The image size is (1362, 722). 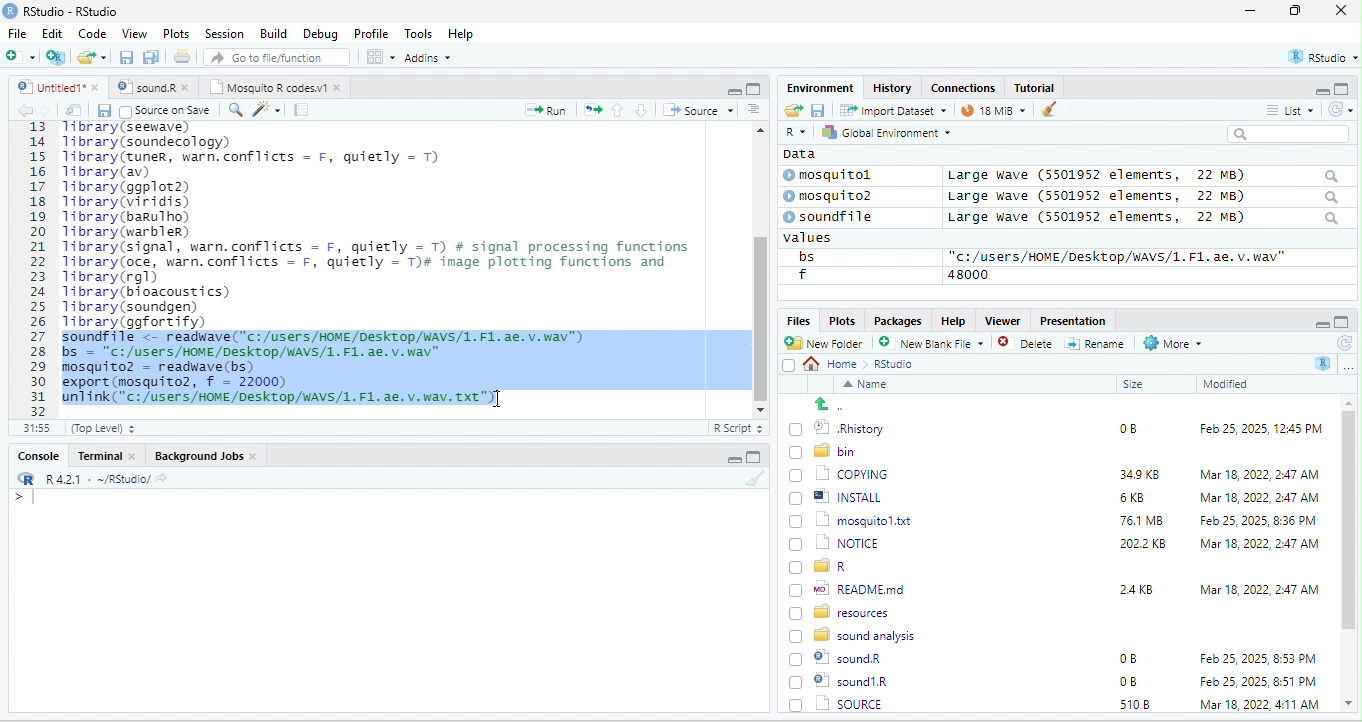 I want to click on =] Rename, so click(x=1096, y=343).